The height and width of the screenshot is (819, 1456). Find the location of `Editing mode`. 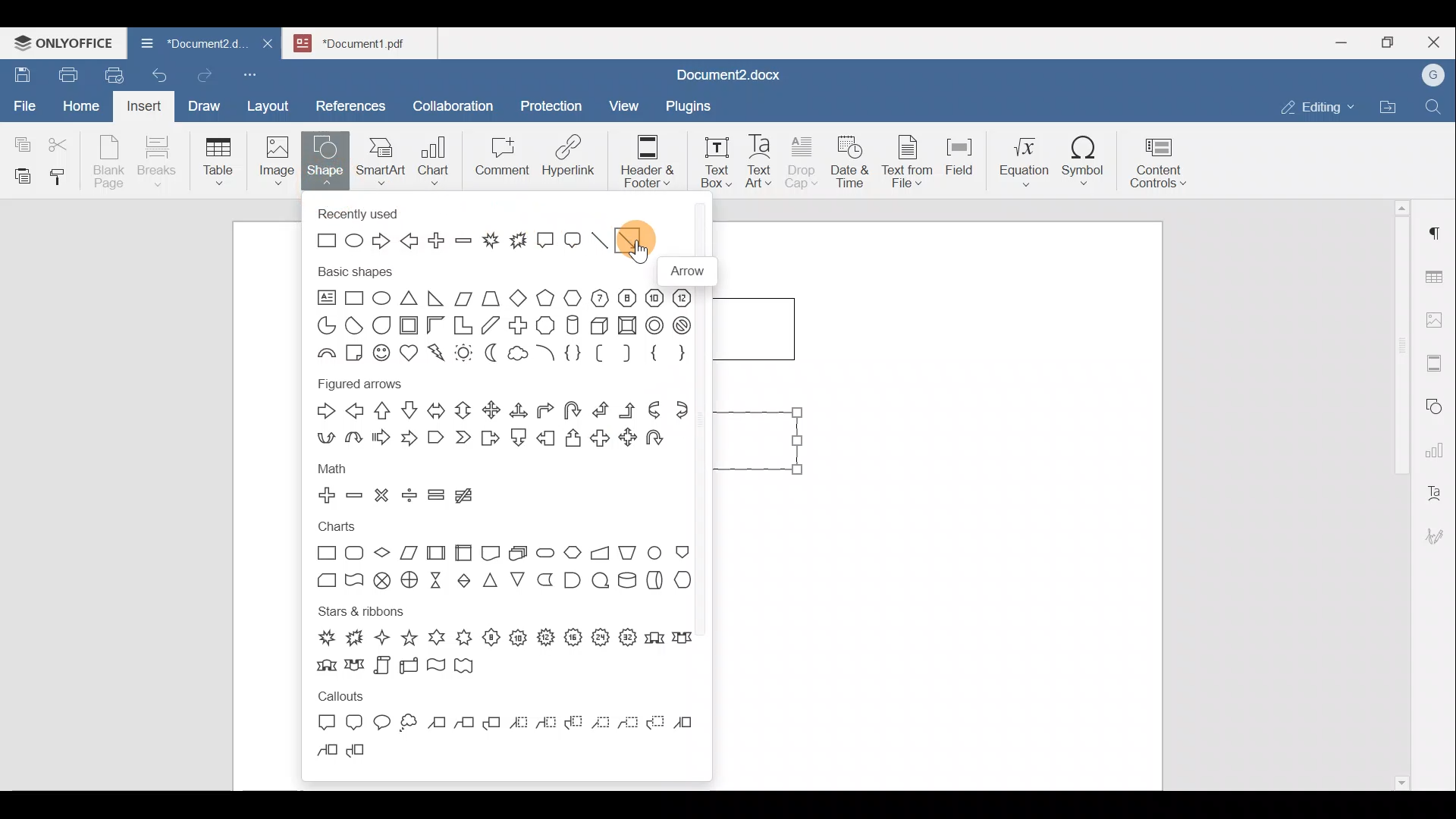

Editing mode is located at coordinates (1318, 104).